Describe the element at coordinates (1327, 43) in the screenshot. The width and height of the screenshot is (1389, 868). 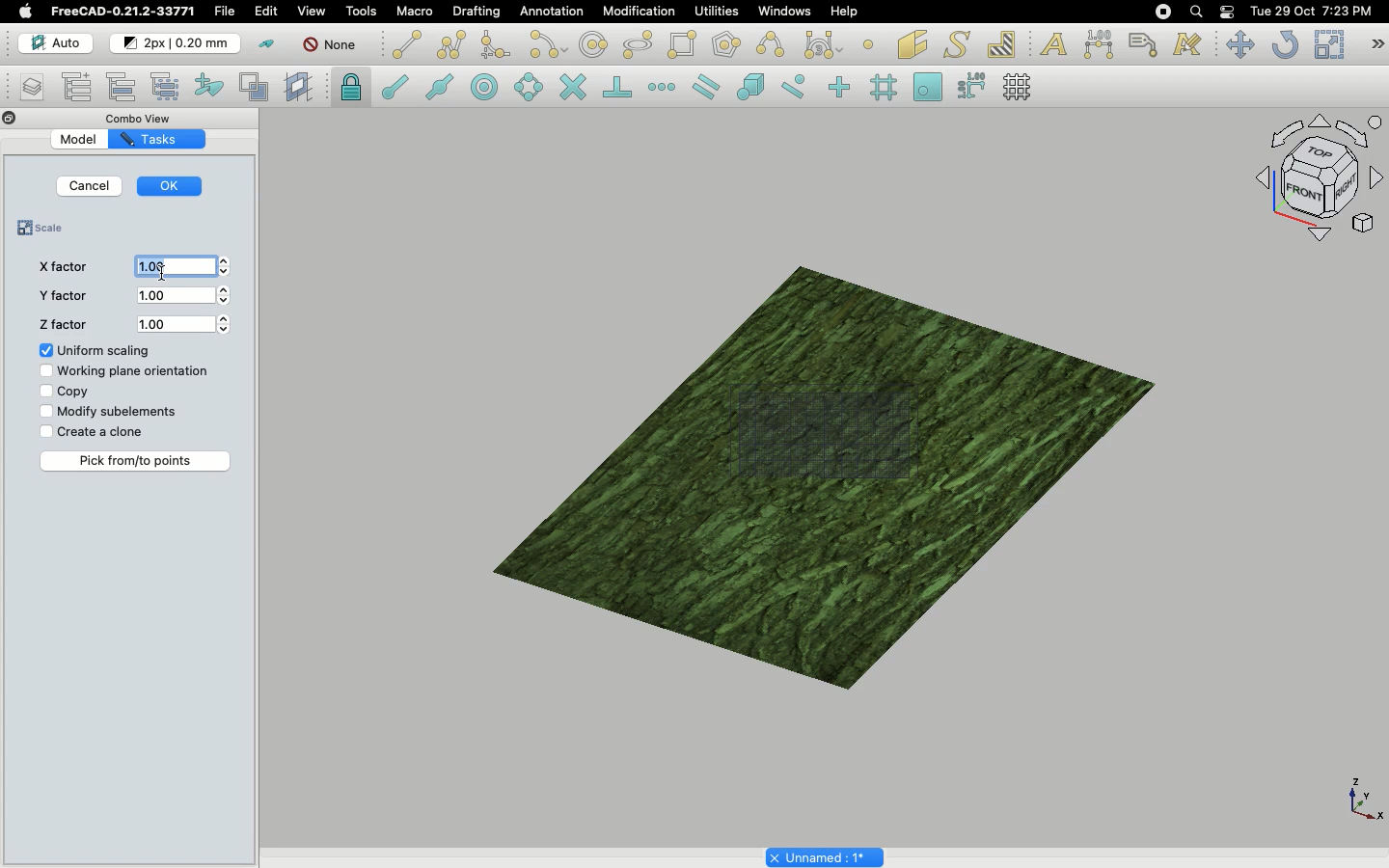
I see `Scale` at that location.